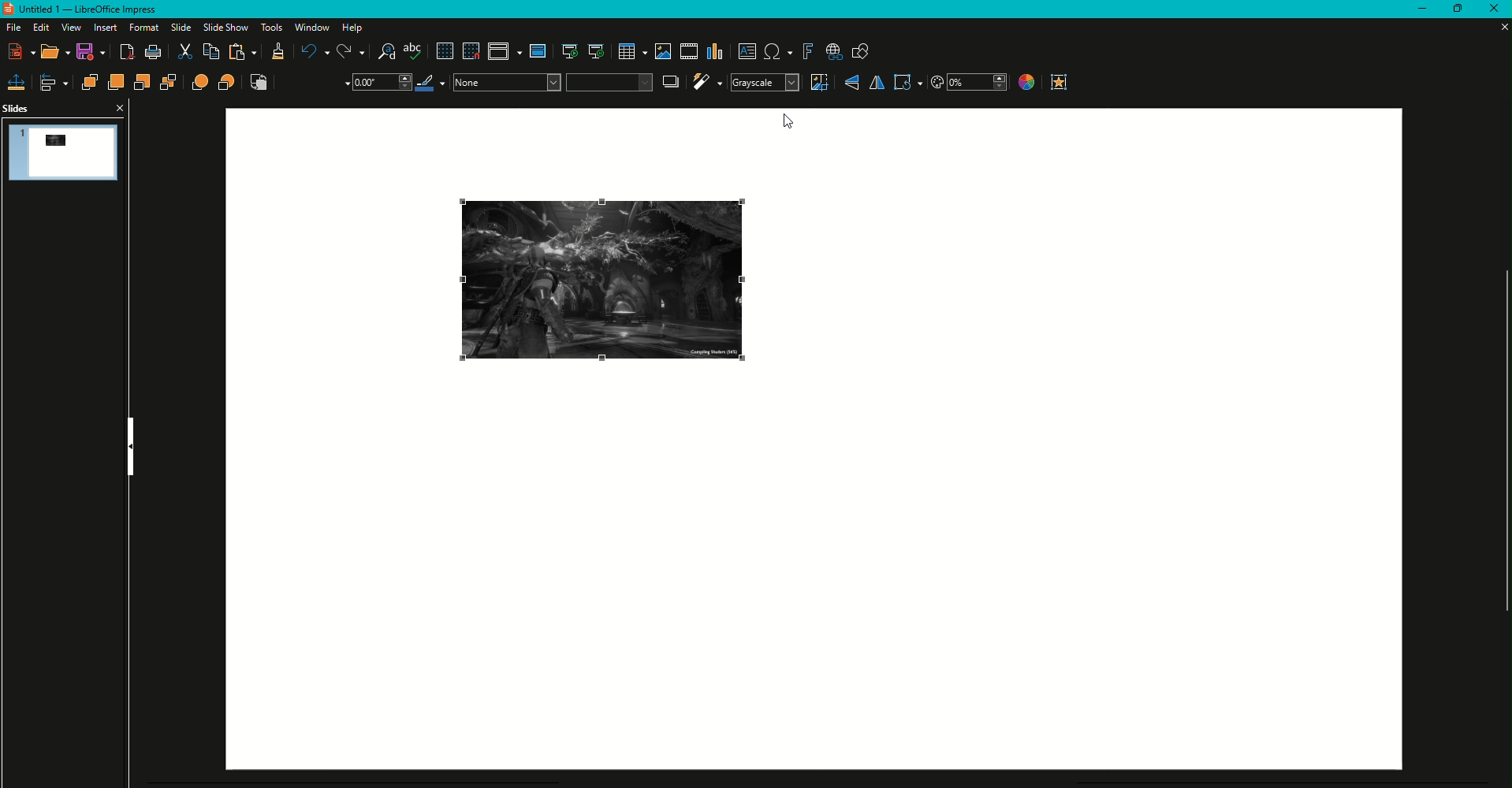 The width and height of the screenshot is (1512, 788). What do you see at coordinates (56, 53) in the screenshot?
I see `Open` at bounding box center [56, 53].